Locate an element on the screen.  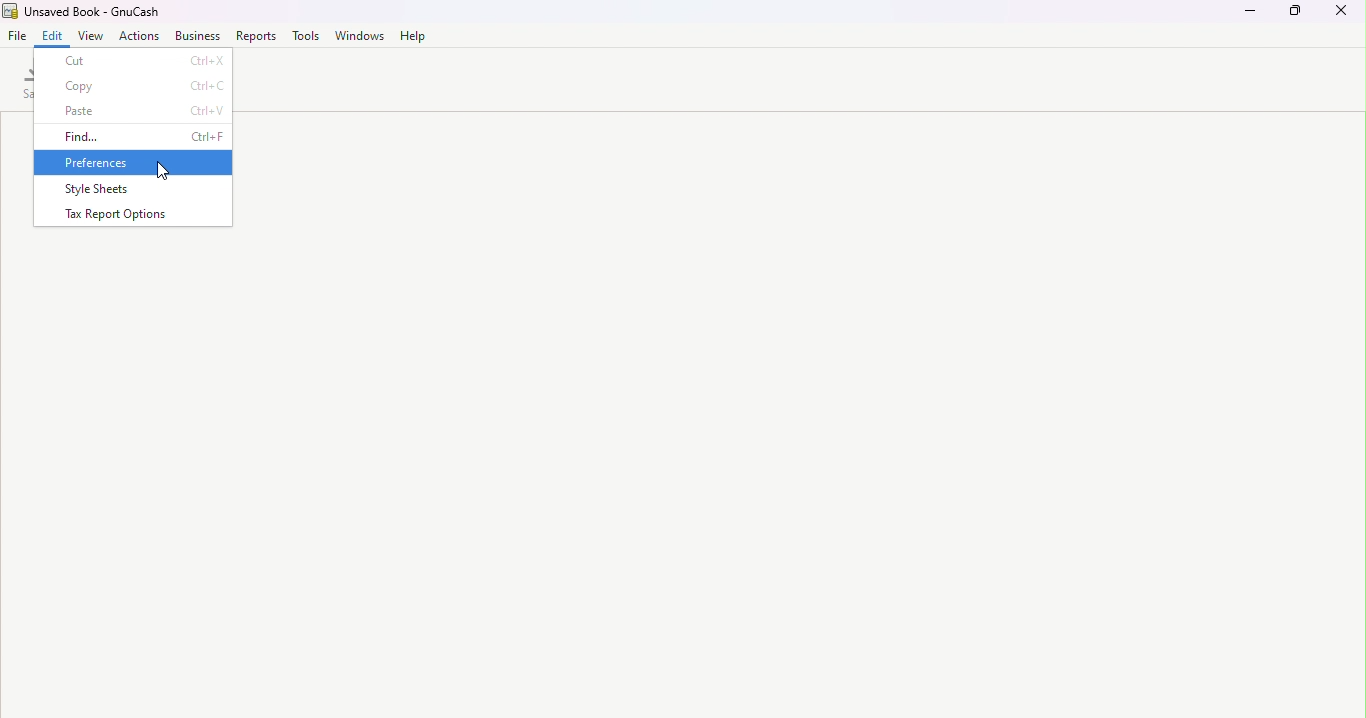
Reports is located at coordinates (254, 36).